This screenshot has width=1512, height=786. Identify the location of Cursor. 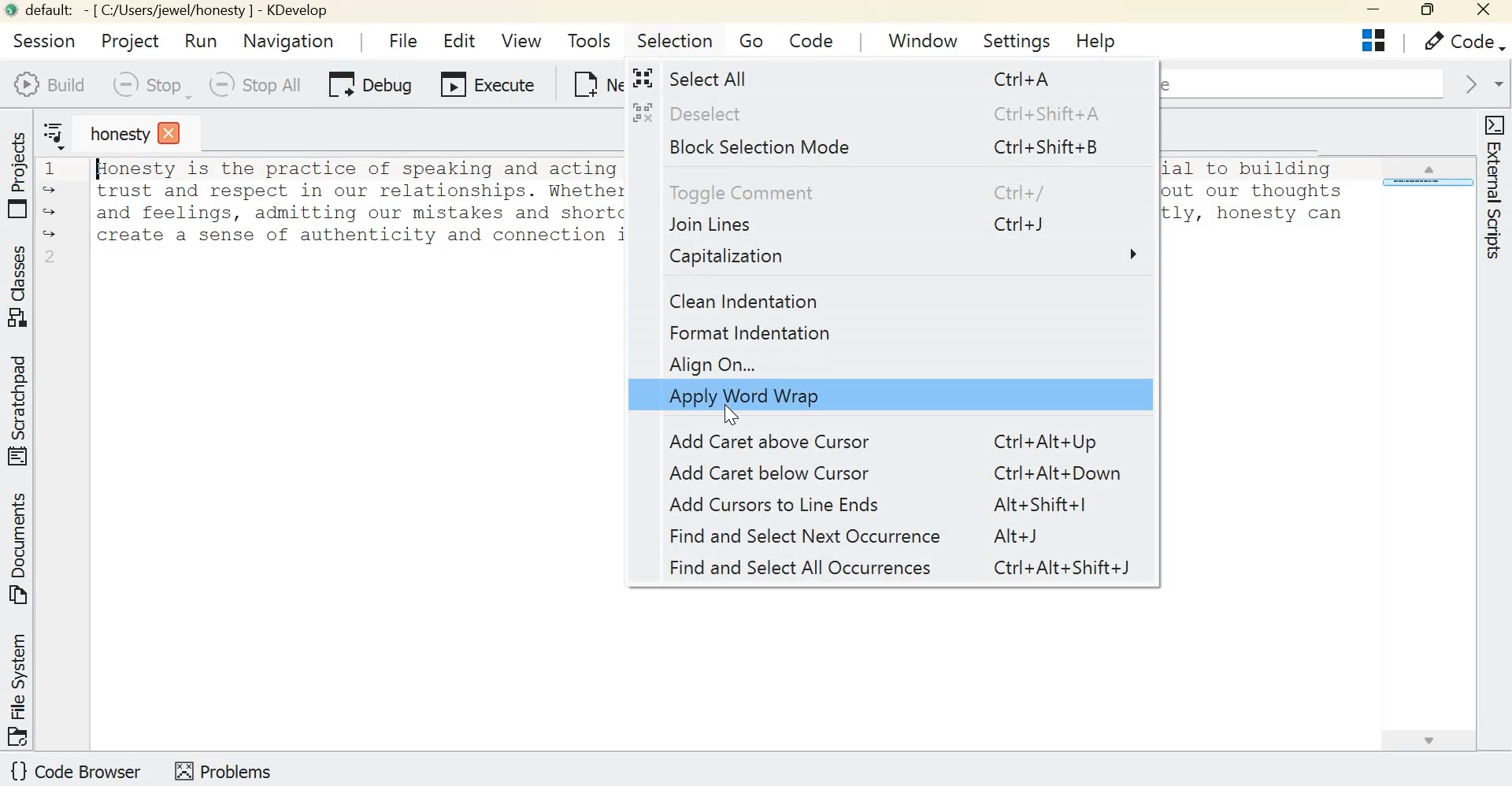
(732, 418).